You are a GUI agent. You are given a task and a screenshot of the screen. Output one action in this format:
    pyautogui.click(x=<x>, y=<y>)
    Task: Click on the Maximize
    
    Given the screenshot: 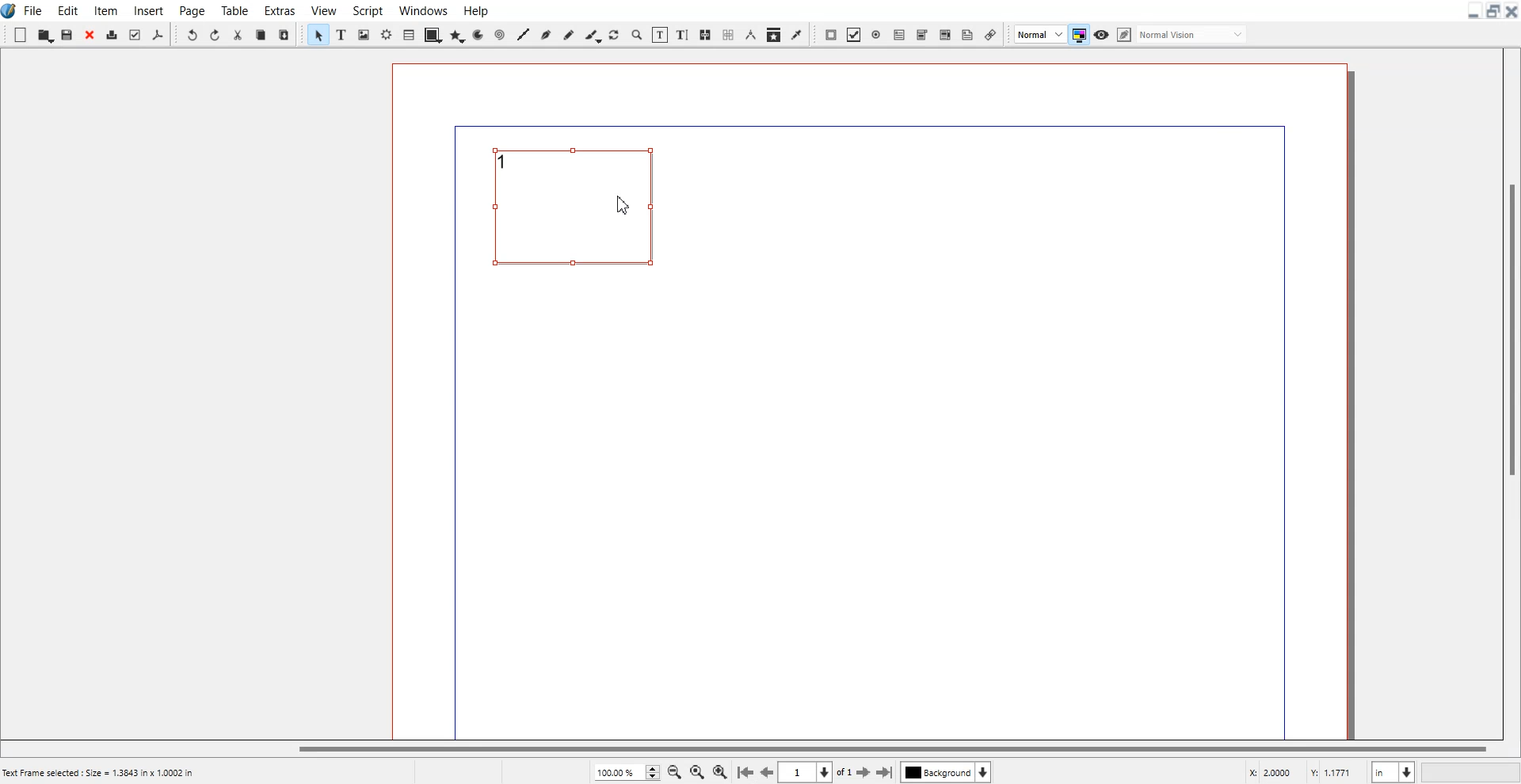 What is the action you would take?
    pyautogui.click(x=1492, y=10)
    